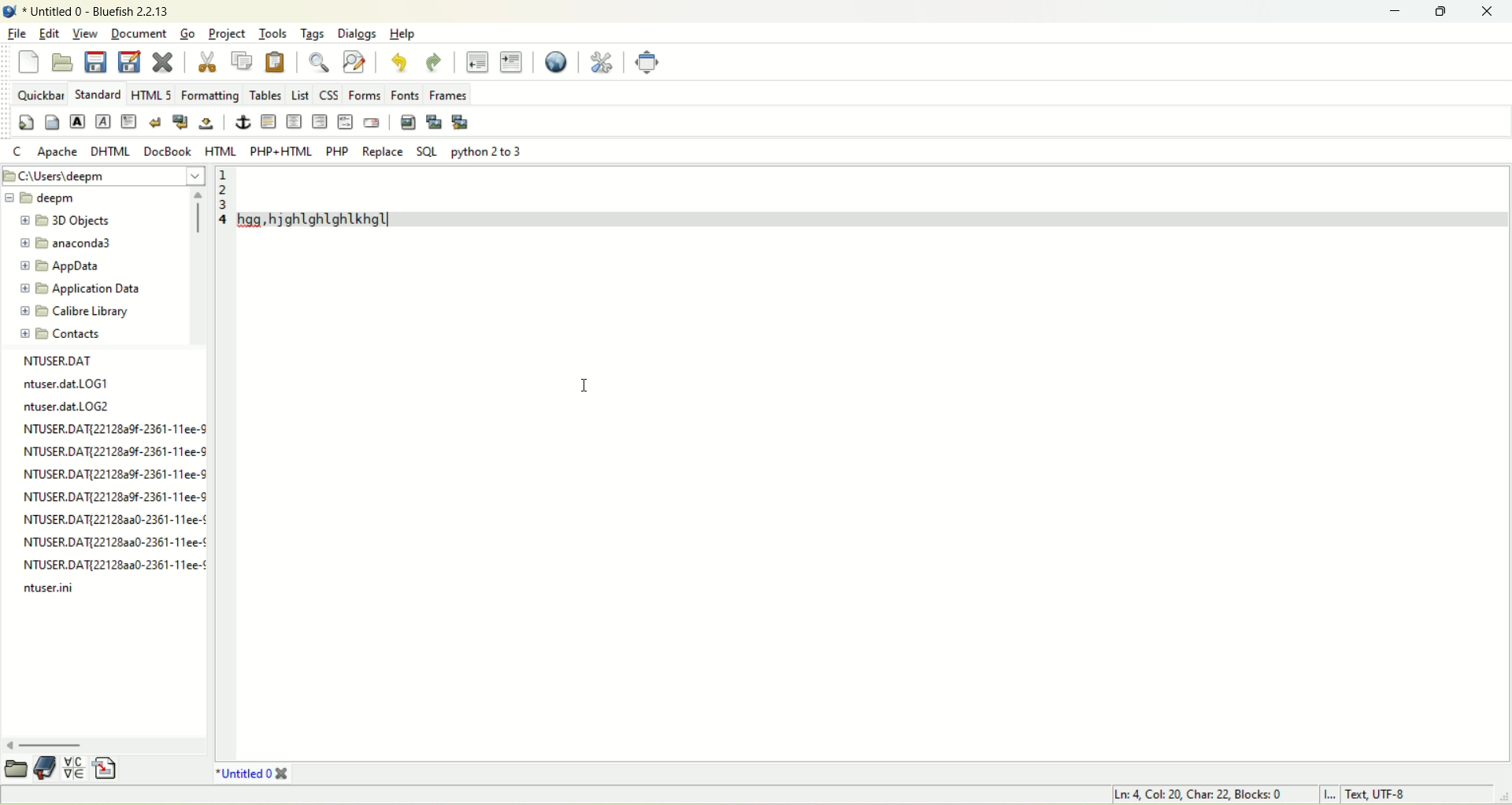  I want to click on css, so click(329, 96).